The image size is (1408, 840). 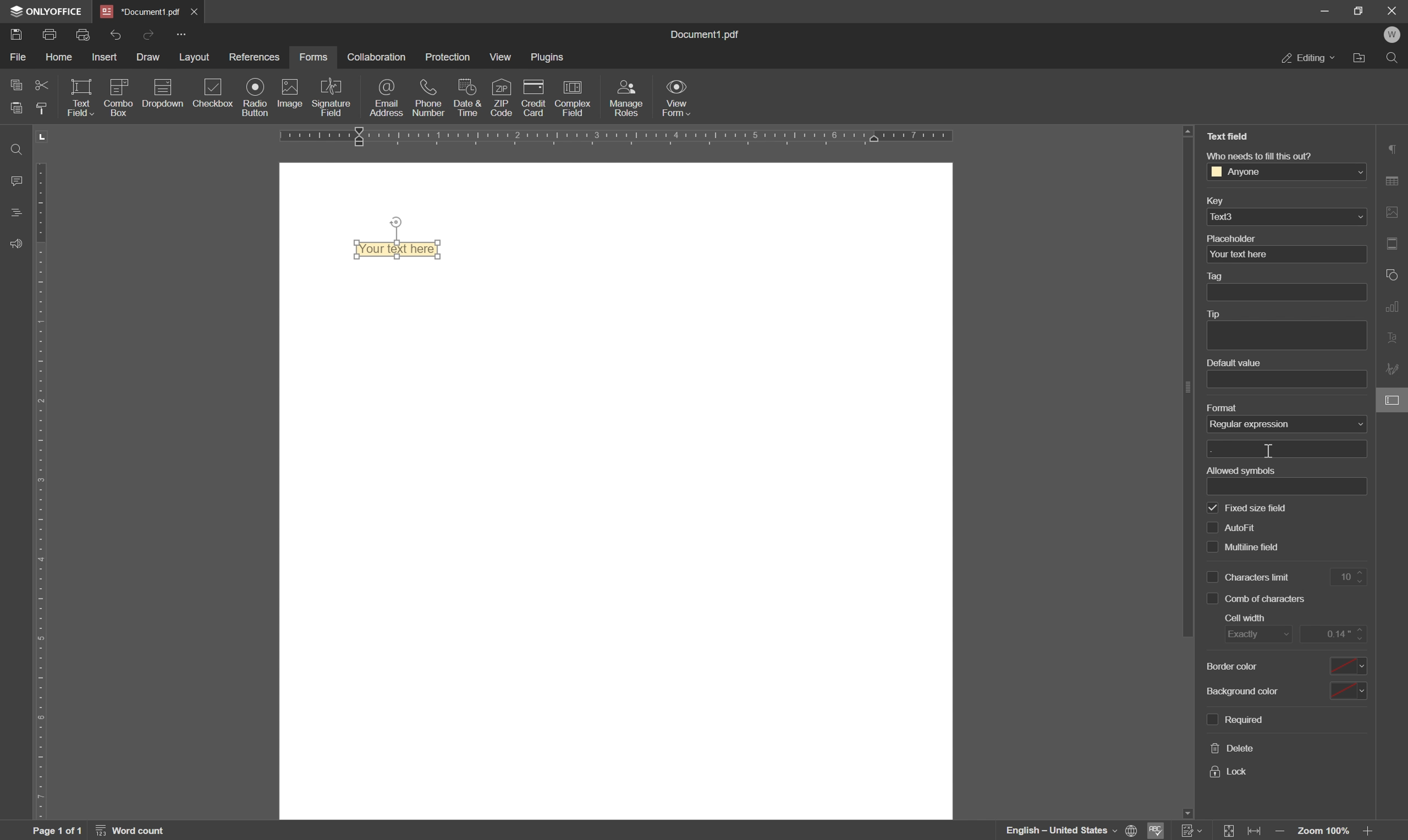 I want to click on plugins, so click(x=549, y=58).